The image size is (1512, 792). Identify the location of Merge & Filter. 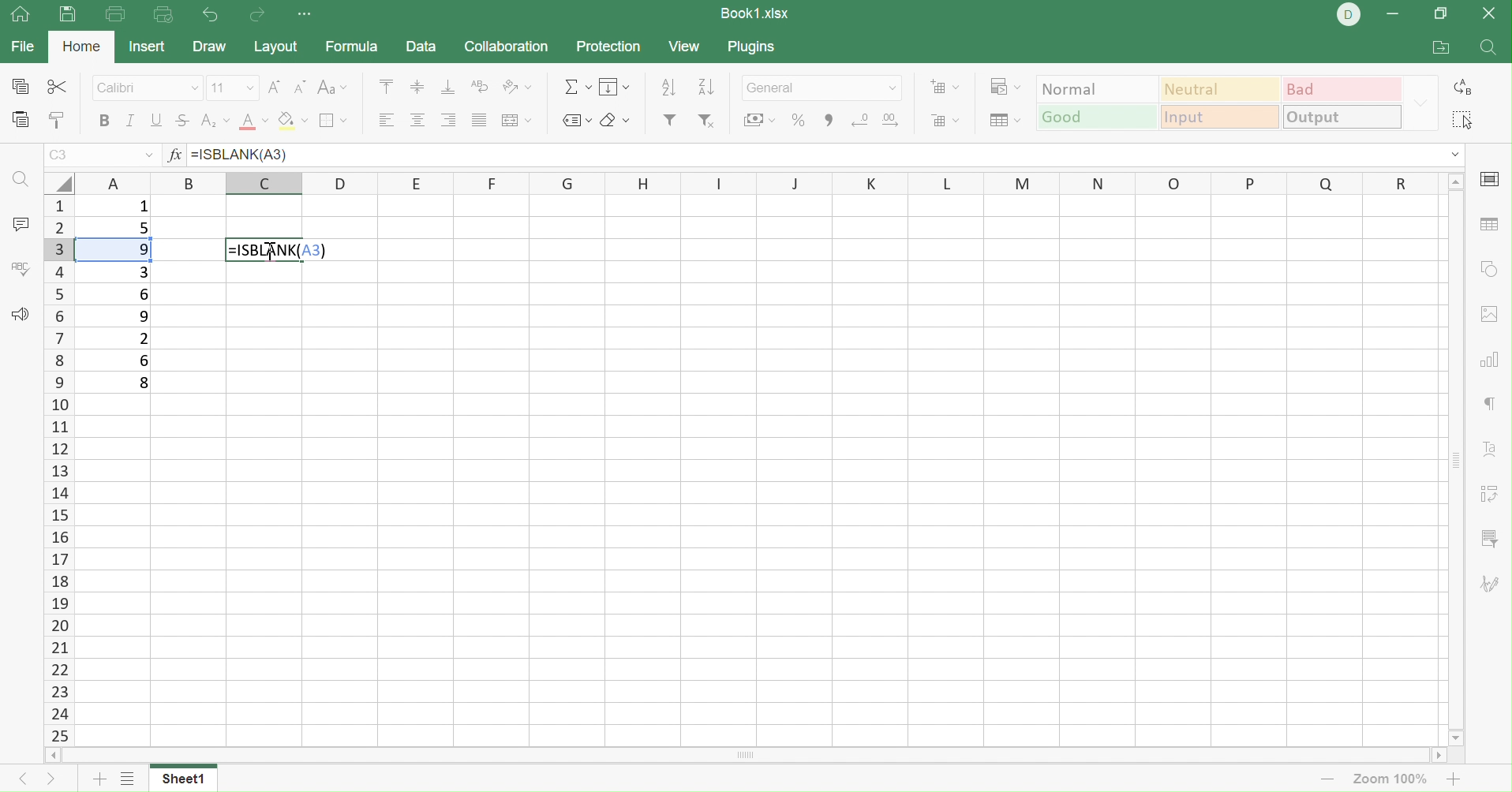
(759, 121).